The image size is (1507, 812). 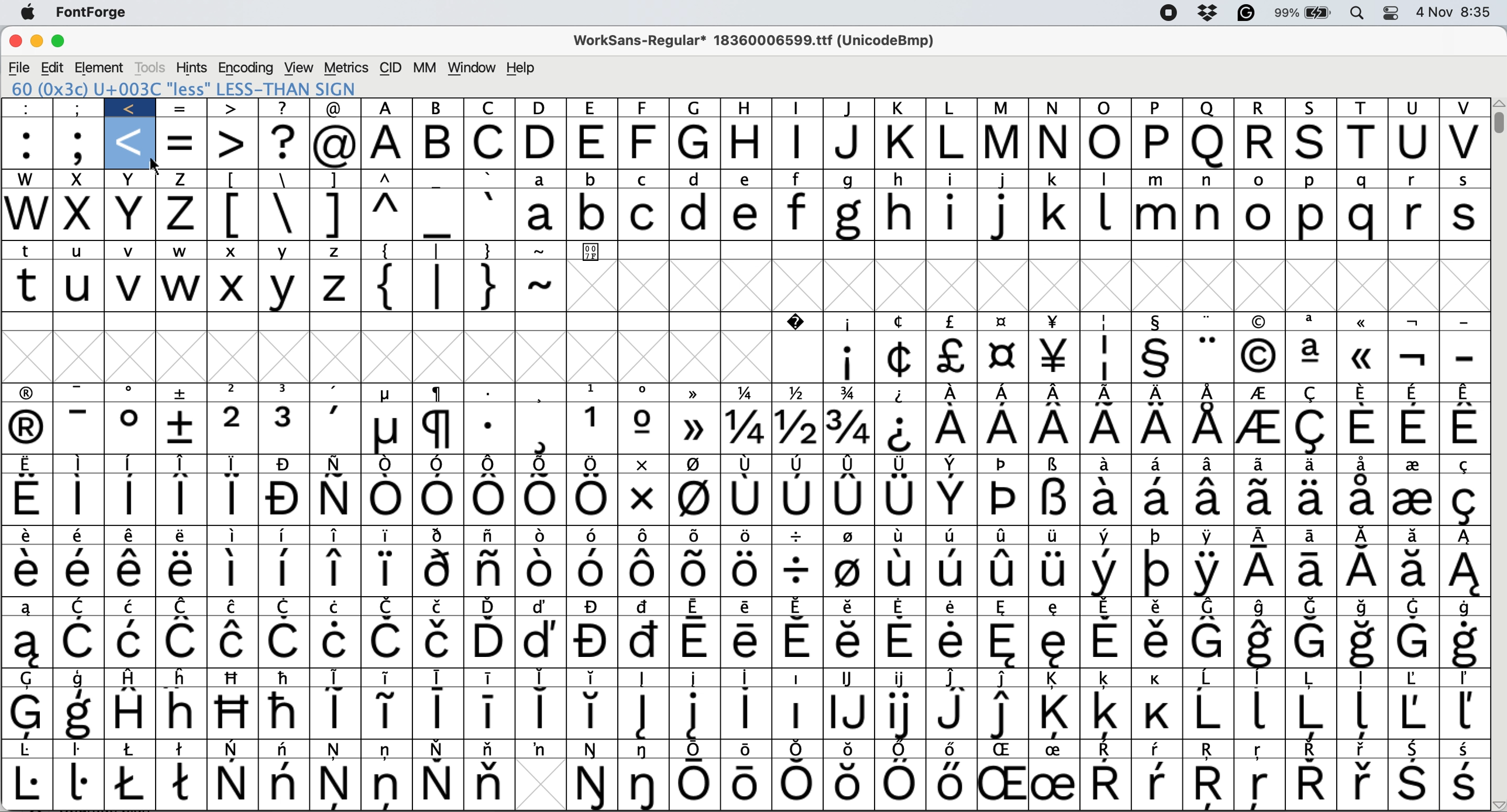 What do you see at coordinates (439, 607) in the screenshot?
I see `Symbol` at bounding box center [439, 607].